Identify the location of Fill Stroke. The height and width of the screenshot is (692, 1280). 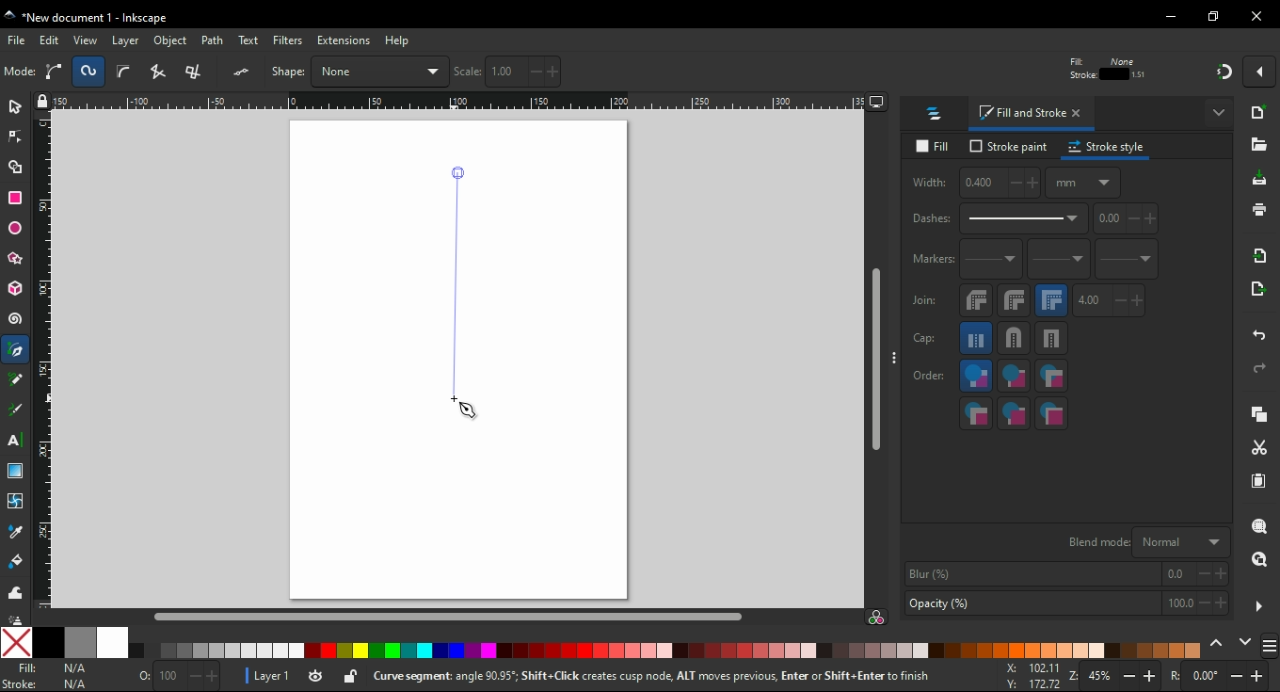
(19, 676).